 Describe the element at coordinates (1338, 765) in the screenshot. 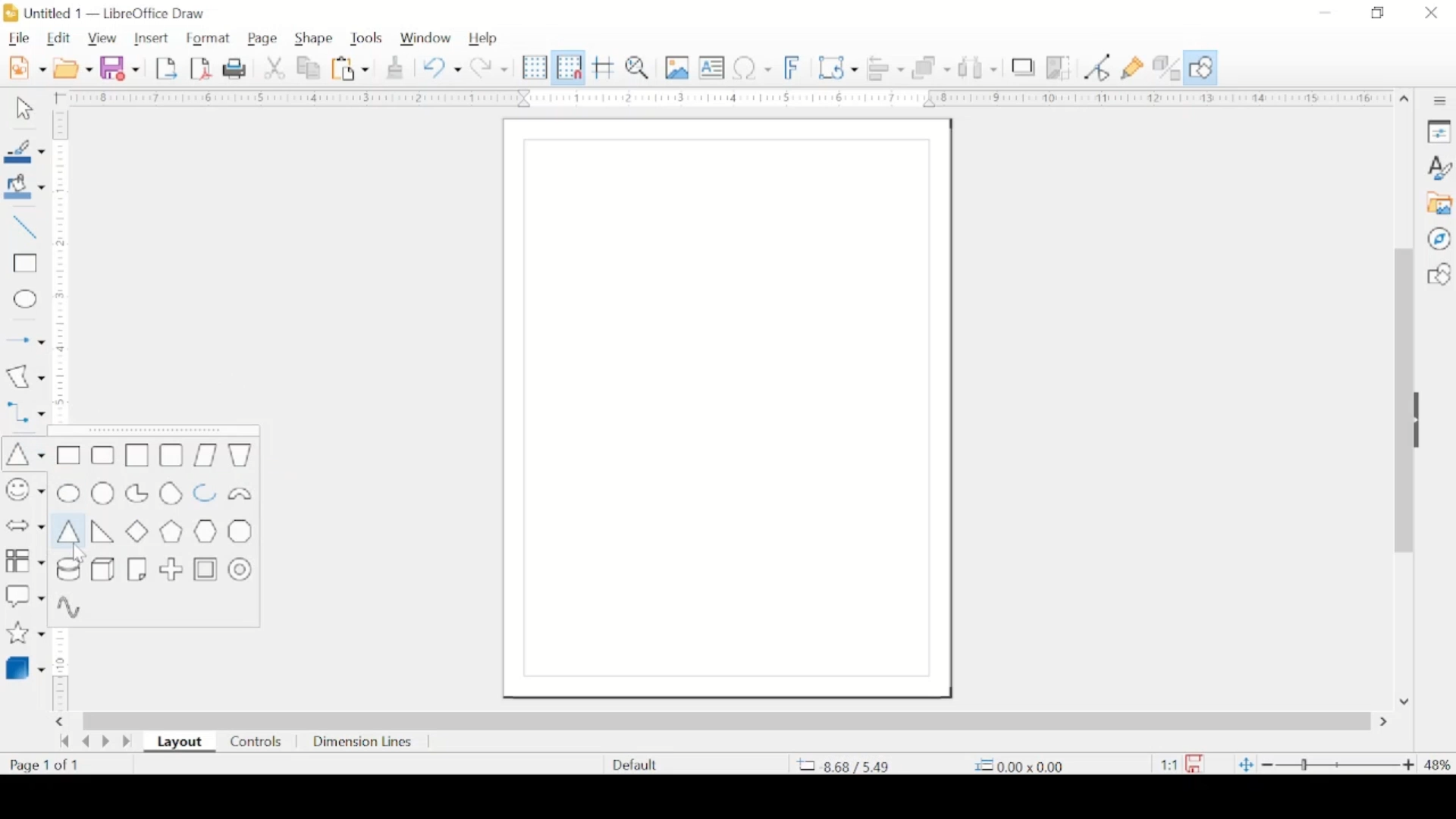

I see `zoom slider` at that location.